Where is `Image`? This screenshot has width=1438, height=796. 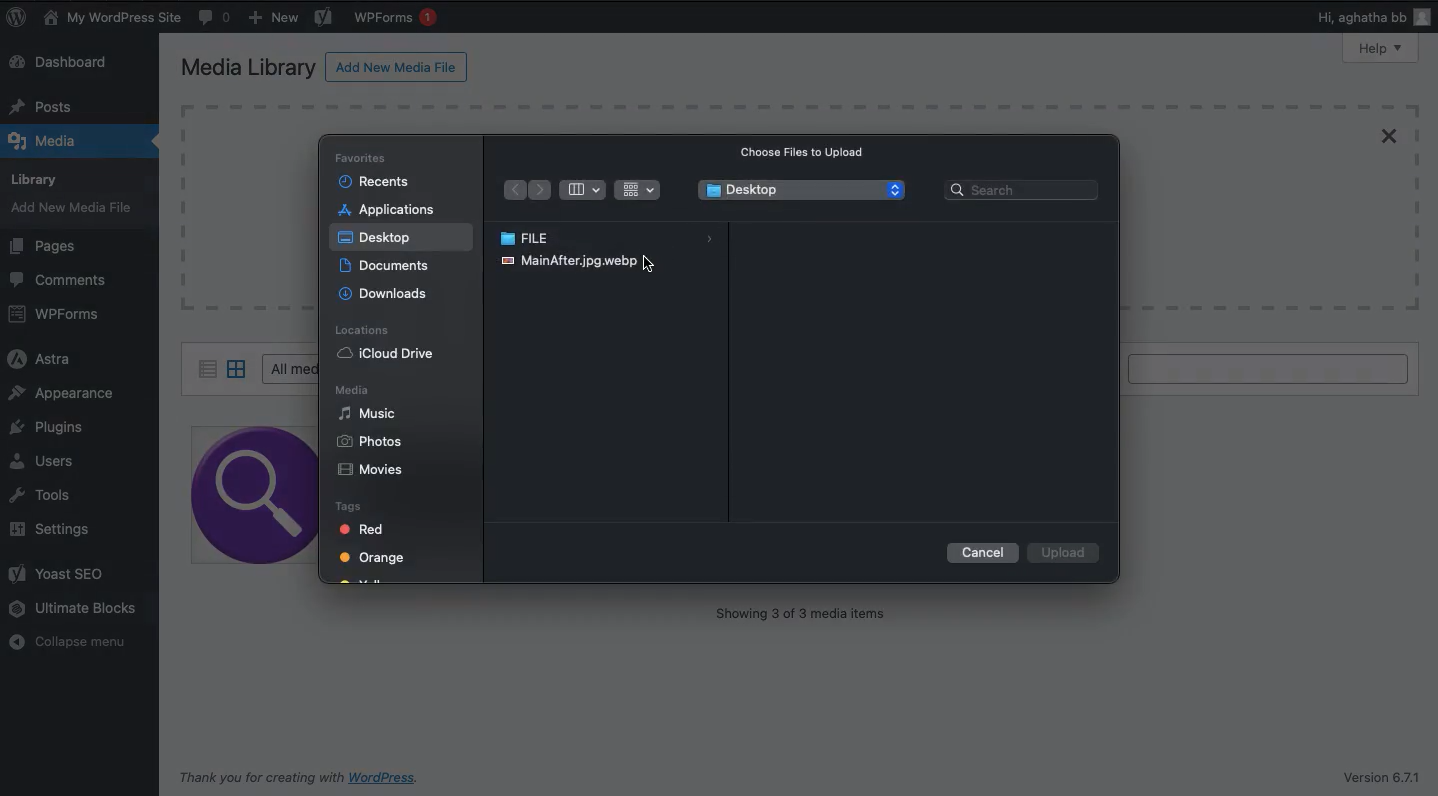 Image is located at coordinates (581, 263).